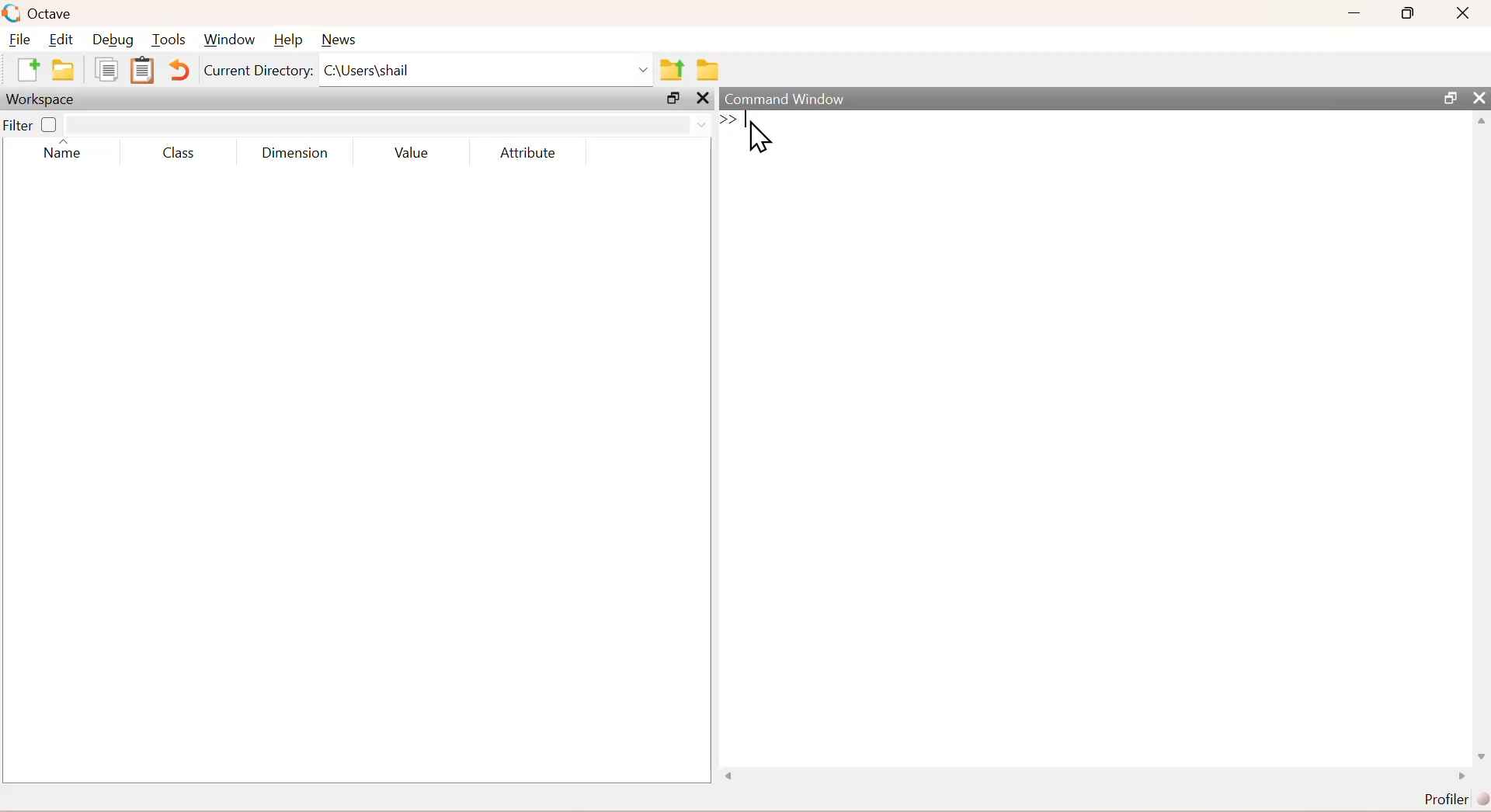  What do you see at coordinates (708, 68) in the screenshot?
I see `Browse directories` at bounding box center [708, 68].